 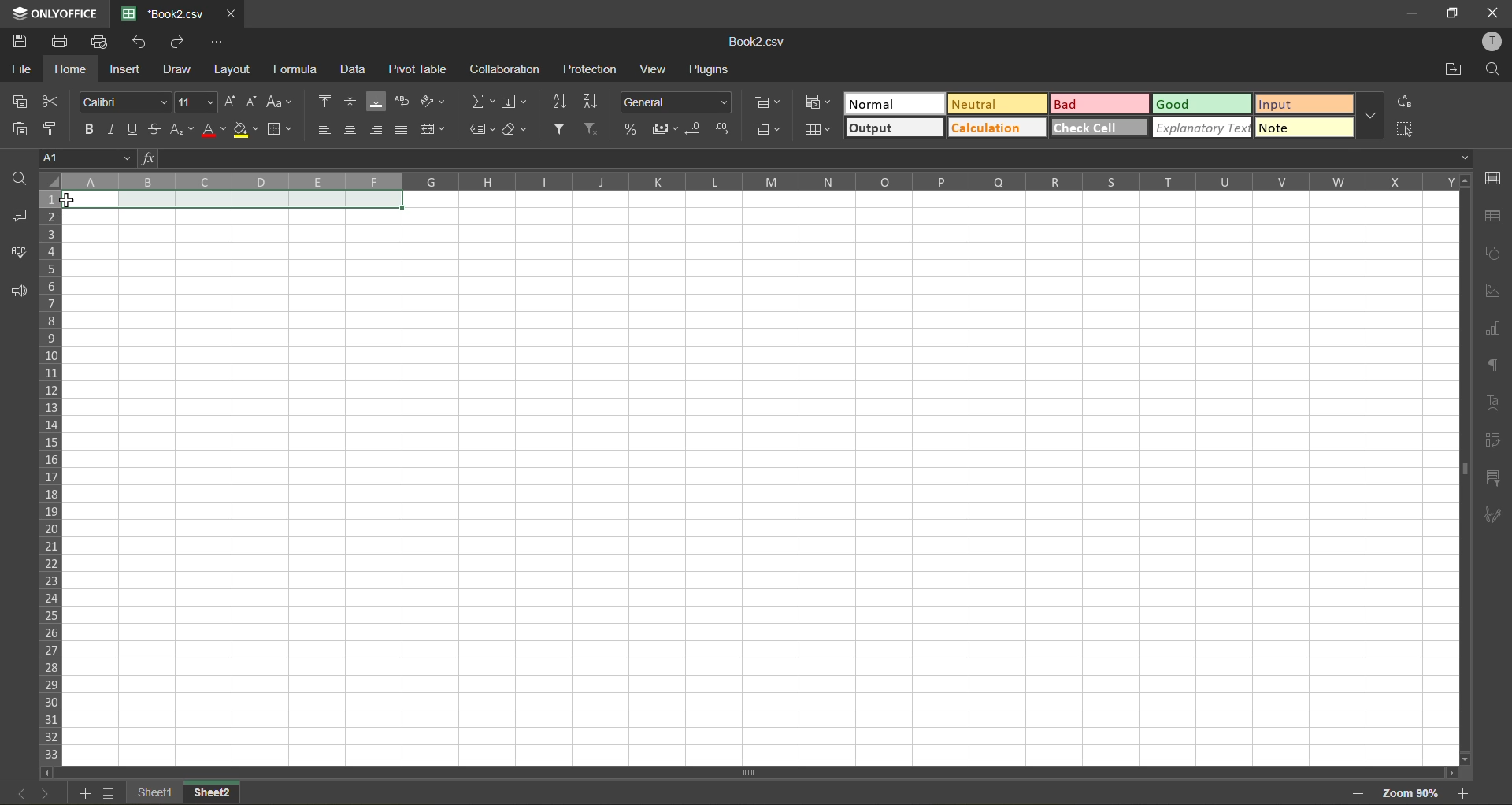 I want to click on open location, so click(x=1451, y=70).